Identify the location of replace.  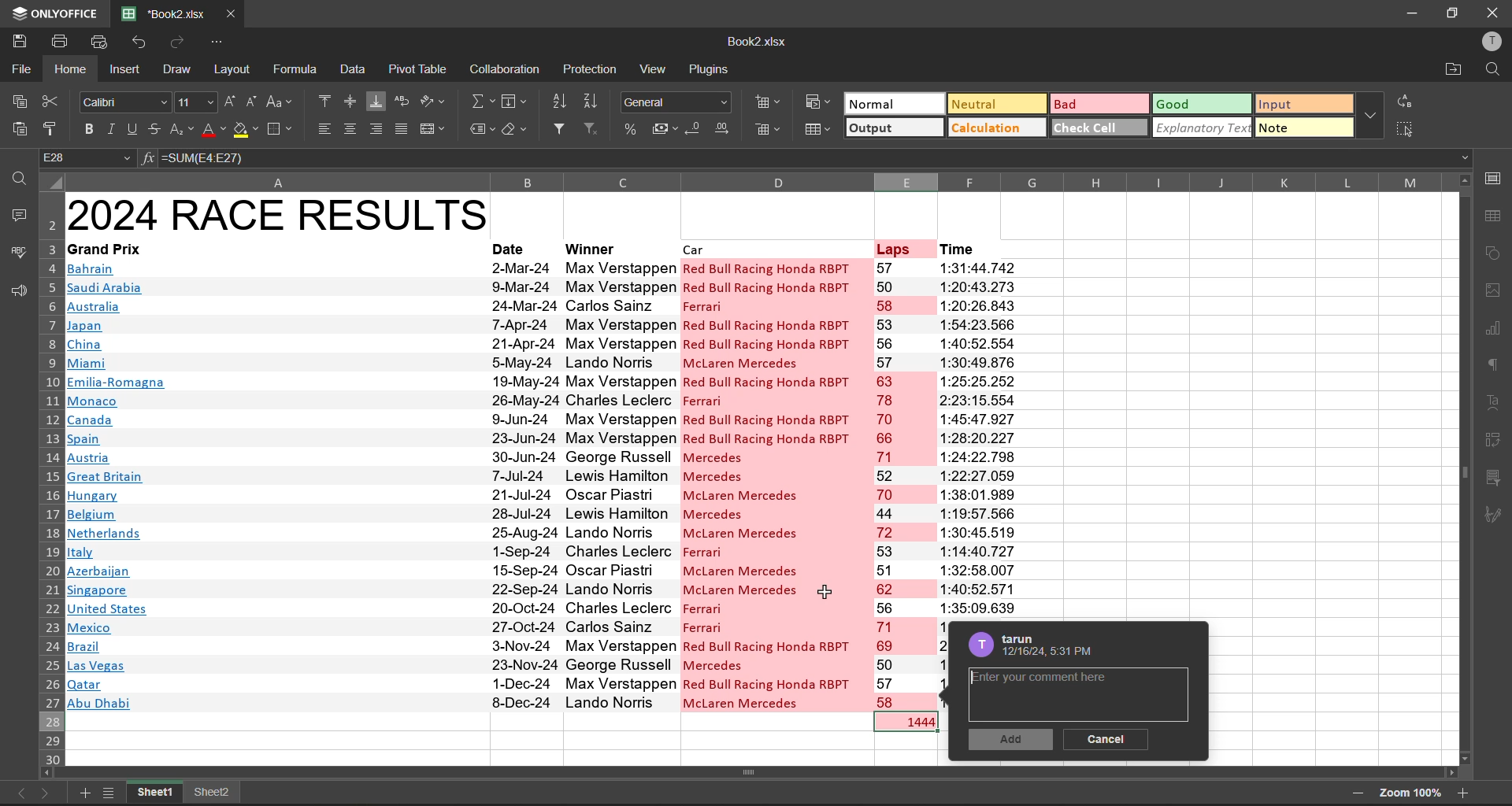
(1410, 102).